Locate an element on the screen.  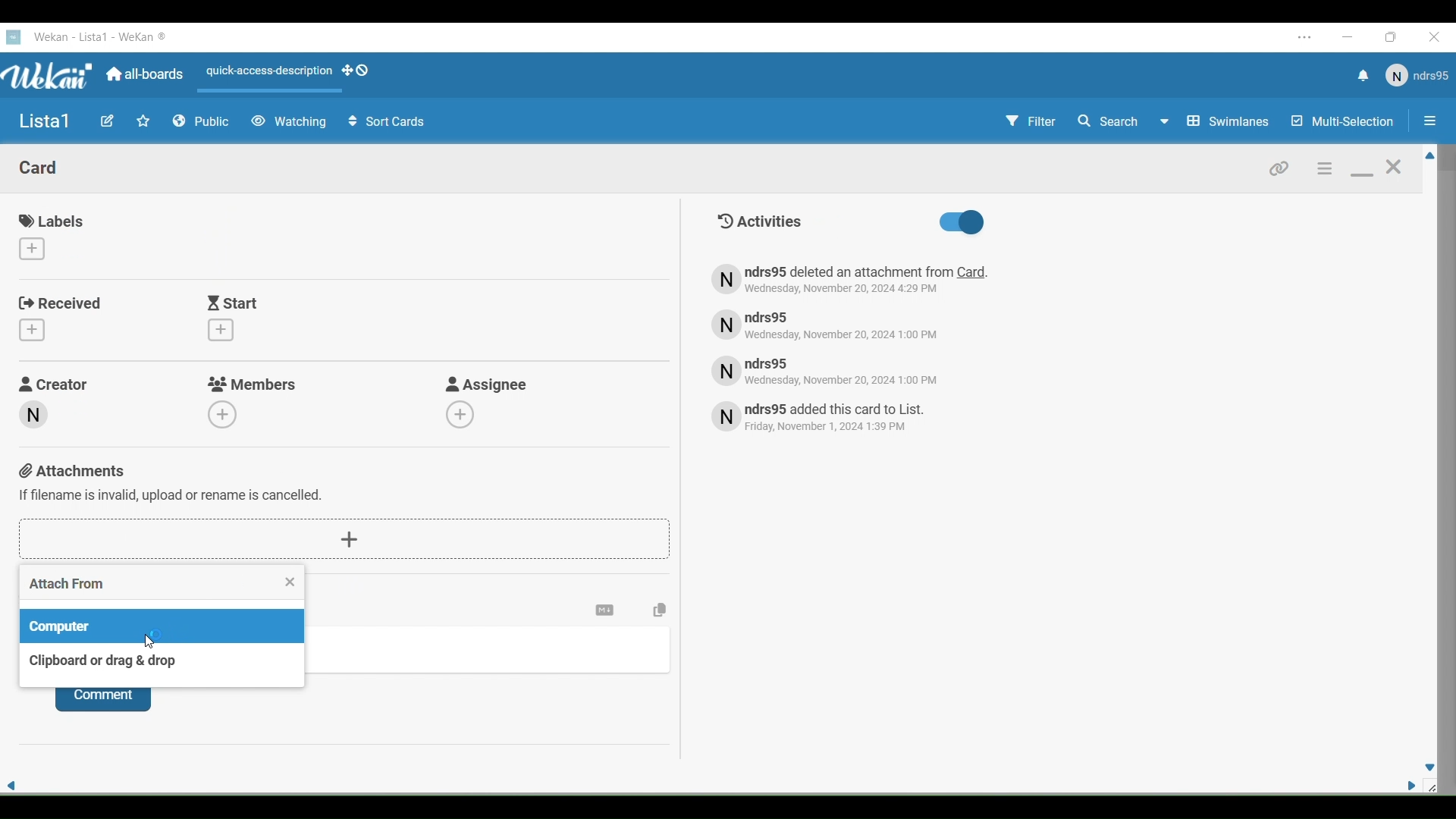
Asignee is located at coordinates (488, 384).